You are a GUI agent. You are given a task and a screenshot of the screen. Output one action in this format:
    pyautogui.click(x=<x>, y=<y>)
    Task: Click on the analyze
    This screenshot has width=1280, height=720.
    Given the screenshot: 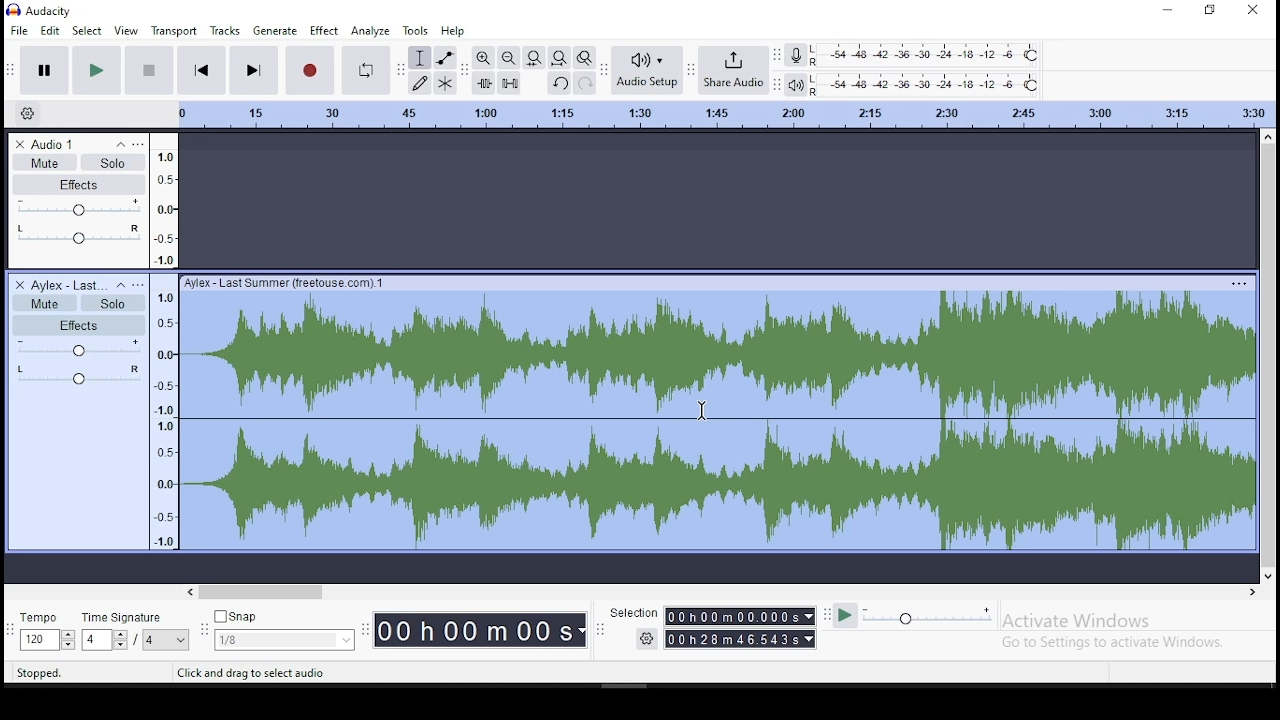 What is the action you would take?
    pyautogui.click(x=371, y=30)
    